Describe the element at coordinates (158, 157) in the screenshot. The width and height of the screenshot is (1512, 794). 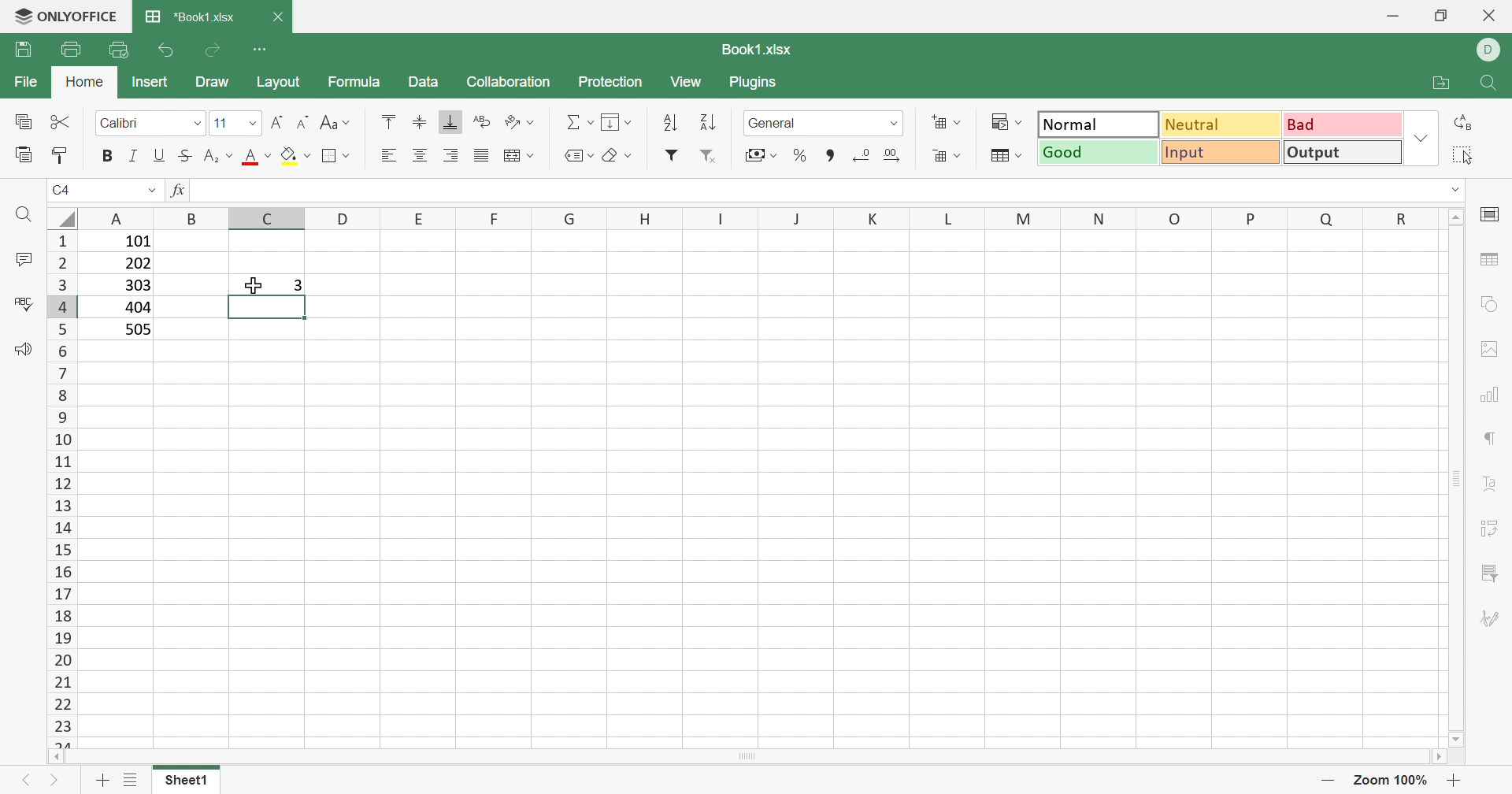
I see `Underline` at that location.